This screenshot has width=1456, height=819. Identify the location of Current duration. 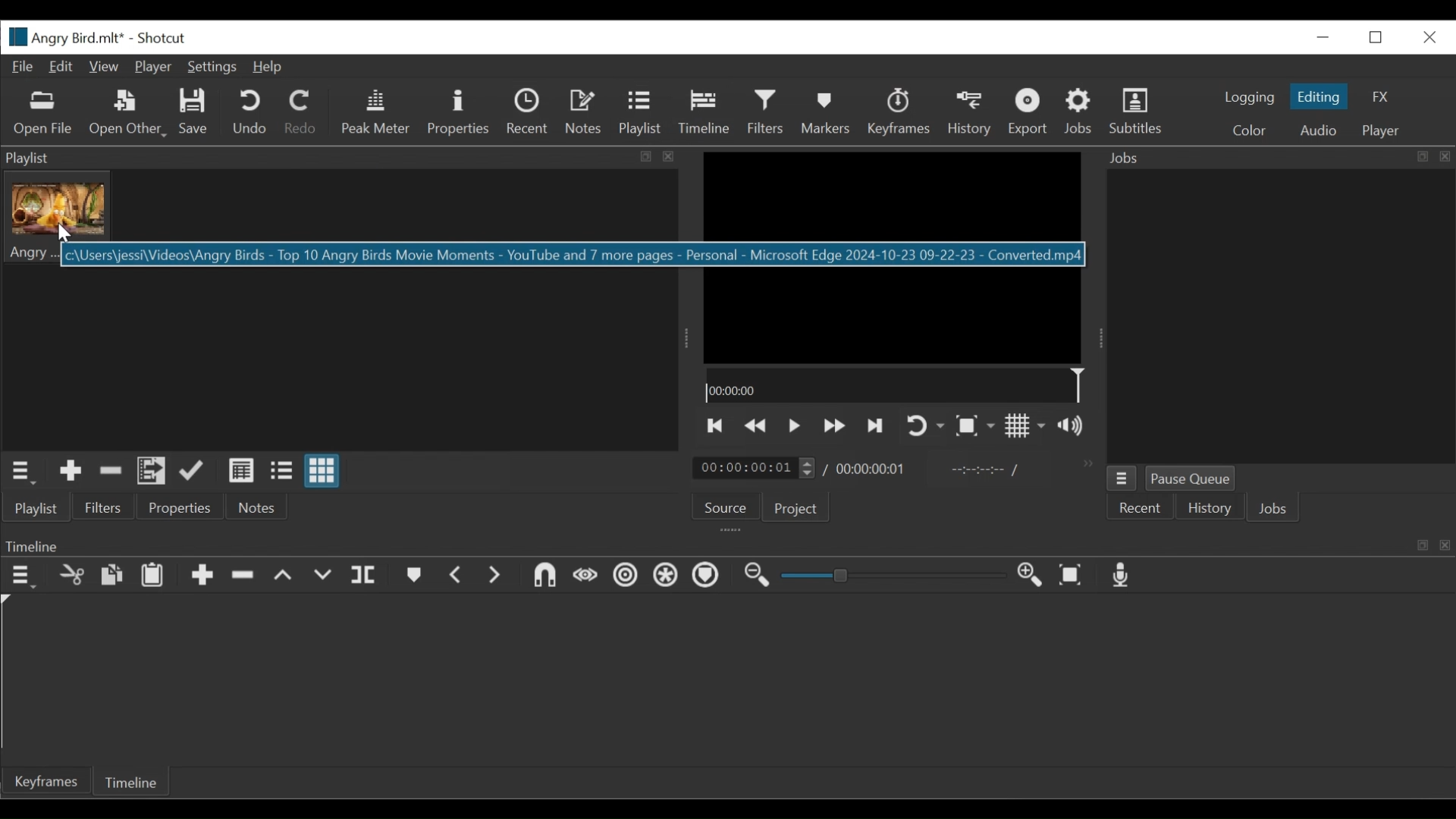
(755, 468).